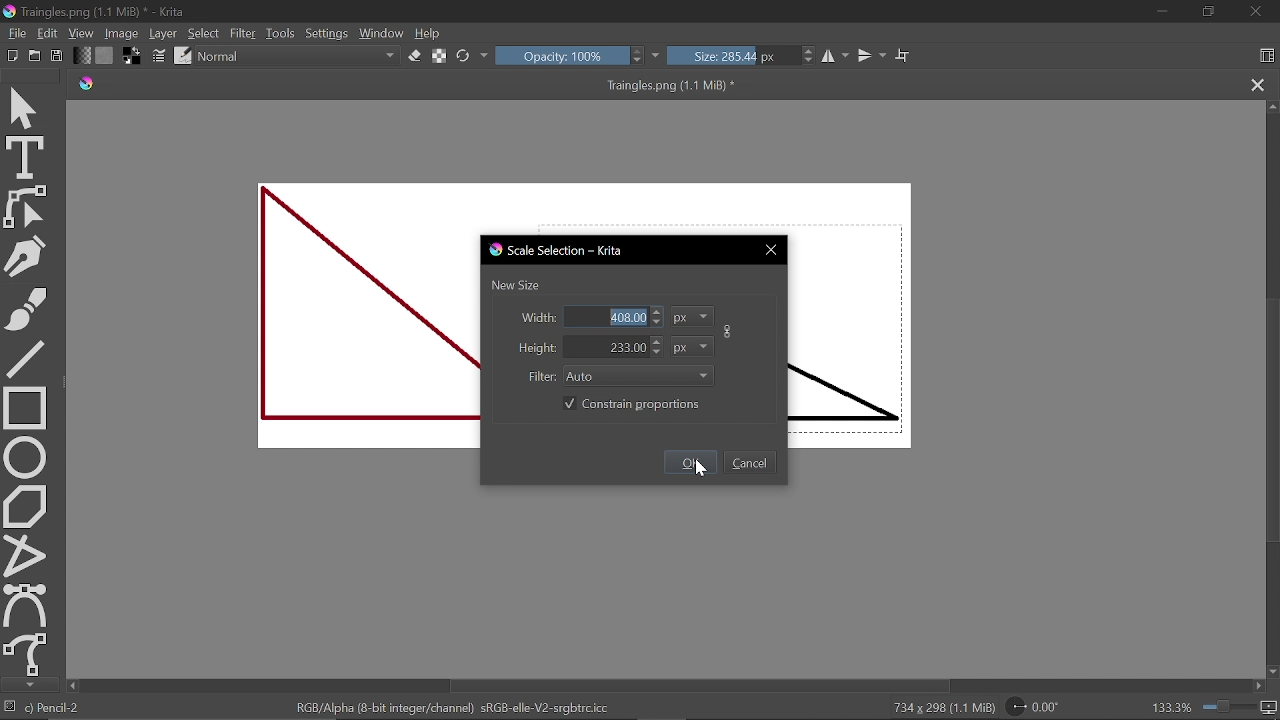 This screenshot has width=1280, height=720. What do you see at coordinates (1270, 388) in the screenshot?
I see `Scroll bar` at bounding box center [1270, 388].